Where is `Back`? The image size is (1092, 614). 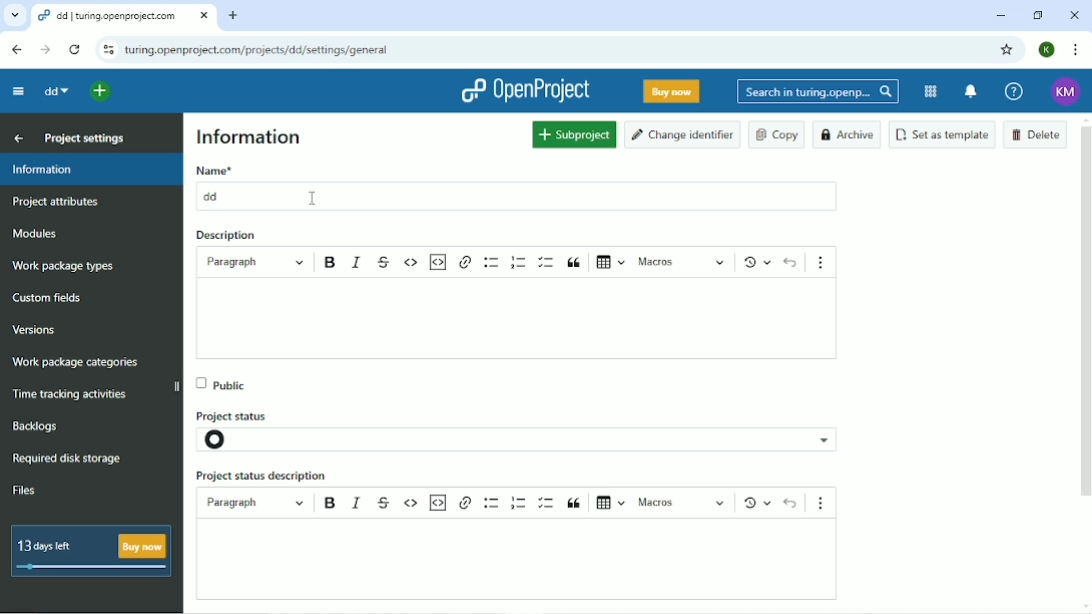 Back is located at coordinates (19, 50).